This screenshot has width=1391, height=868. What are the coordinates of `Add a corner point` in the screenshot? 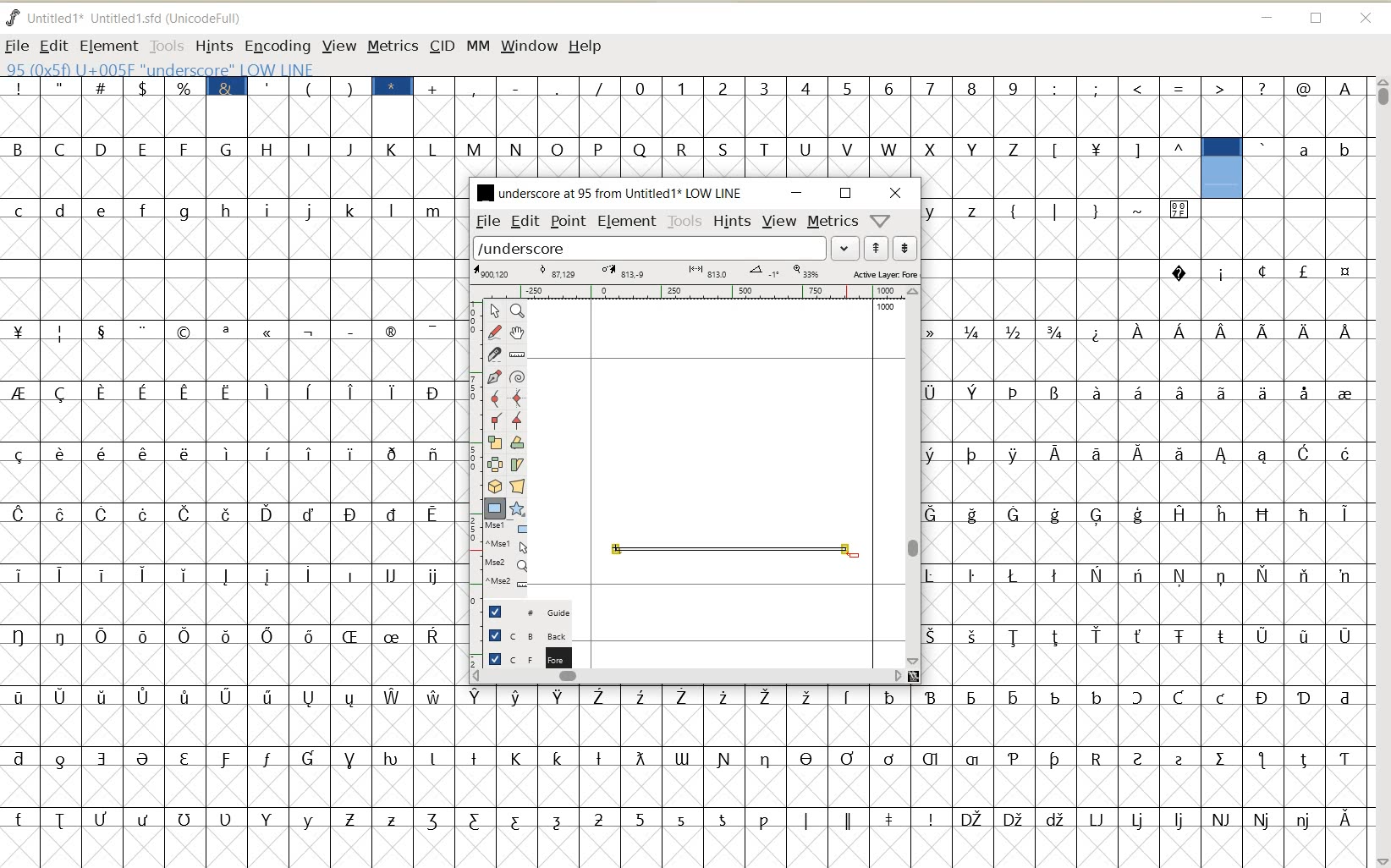 It's located at (496, 420).